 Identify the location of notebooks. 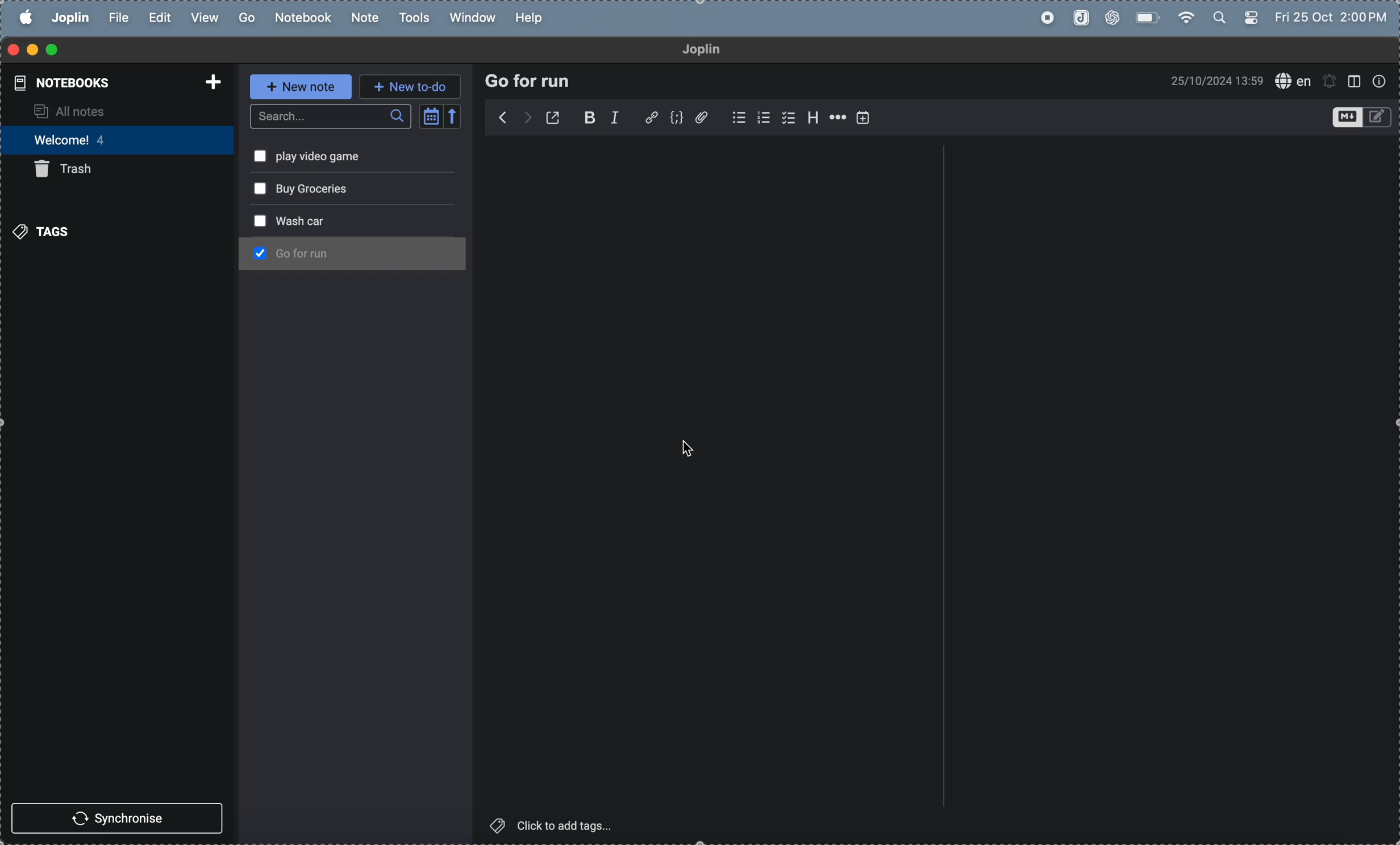
(113, 81).